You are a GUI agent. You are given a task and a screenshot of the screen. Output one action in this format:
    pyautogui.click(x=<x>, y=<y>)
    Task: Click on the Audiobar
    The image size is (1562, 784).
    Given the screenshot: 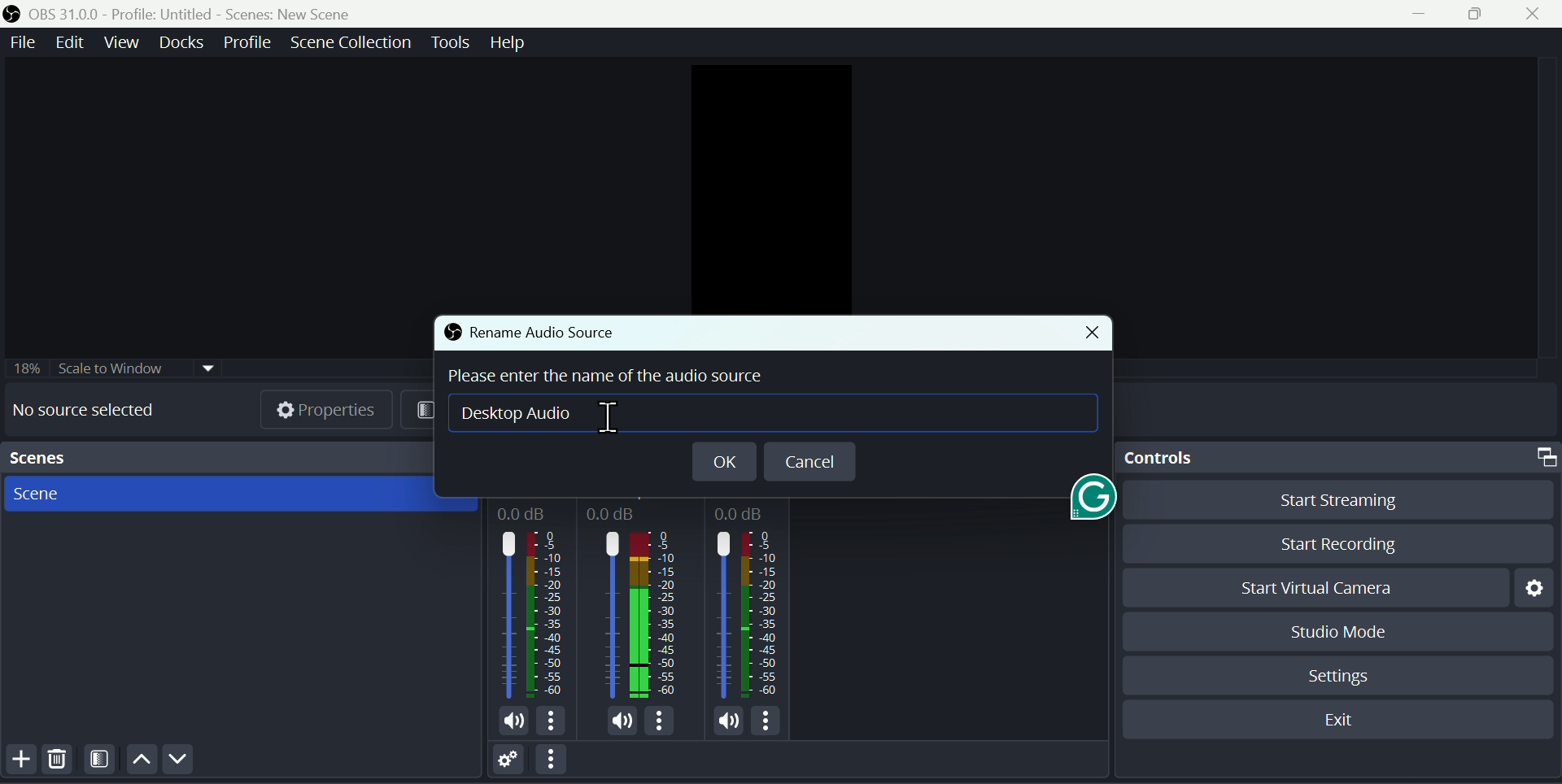 What is the action you would take?
    pyautogui.click(x=643, y=616)
    